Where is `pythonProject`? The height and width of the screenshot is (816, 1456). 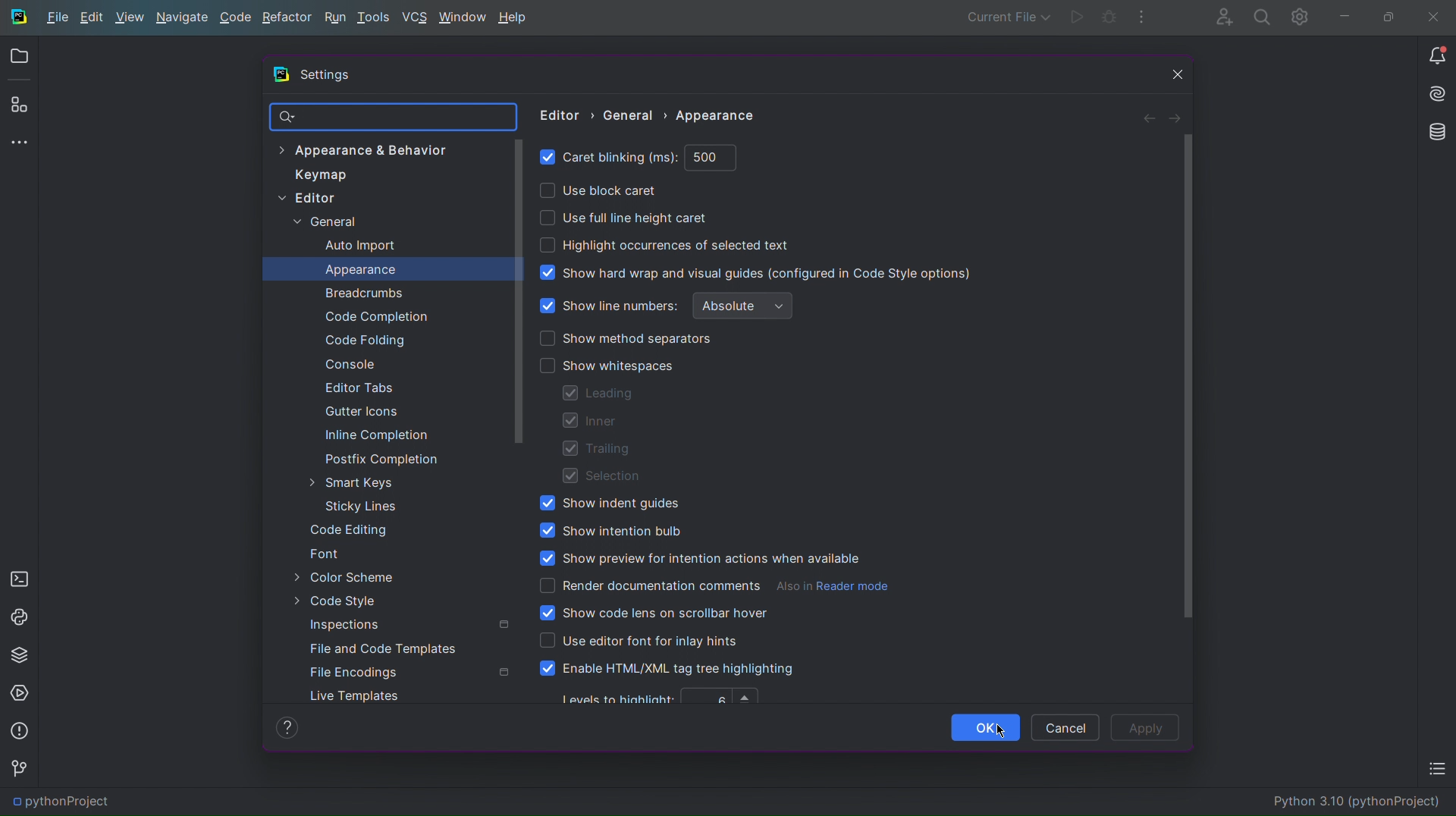
pythonProject is located at coordinates (64, 802).